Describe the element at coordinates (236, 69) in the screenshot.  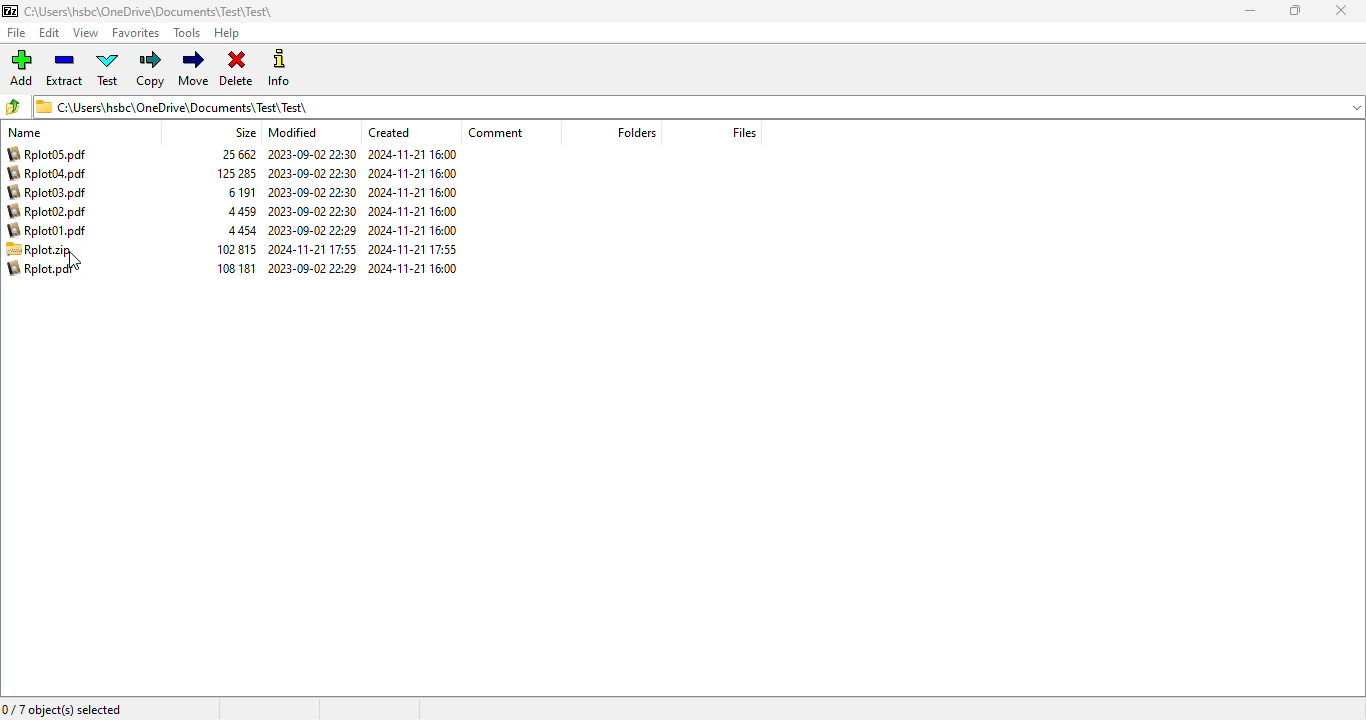
I see `delete` at that location.